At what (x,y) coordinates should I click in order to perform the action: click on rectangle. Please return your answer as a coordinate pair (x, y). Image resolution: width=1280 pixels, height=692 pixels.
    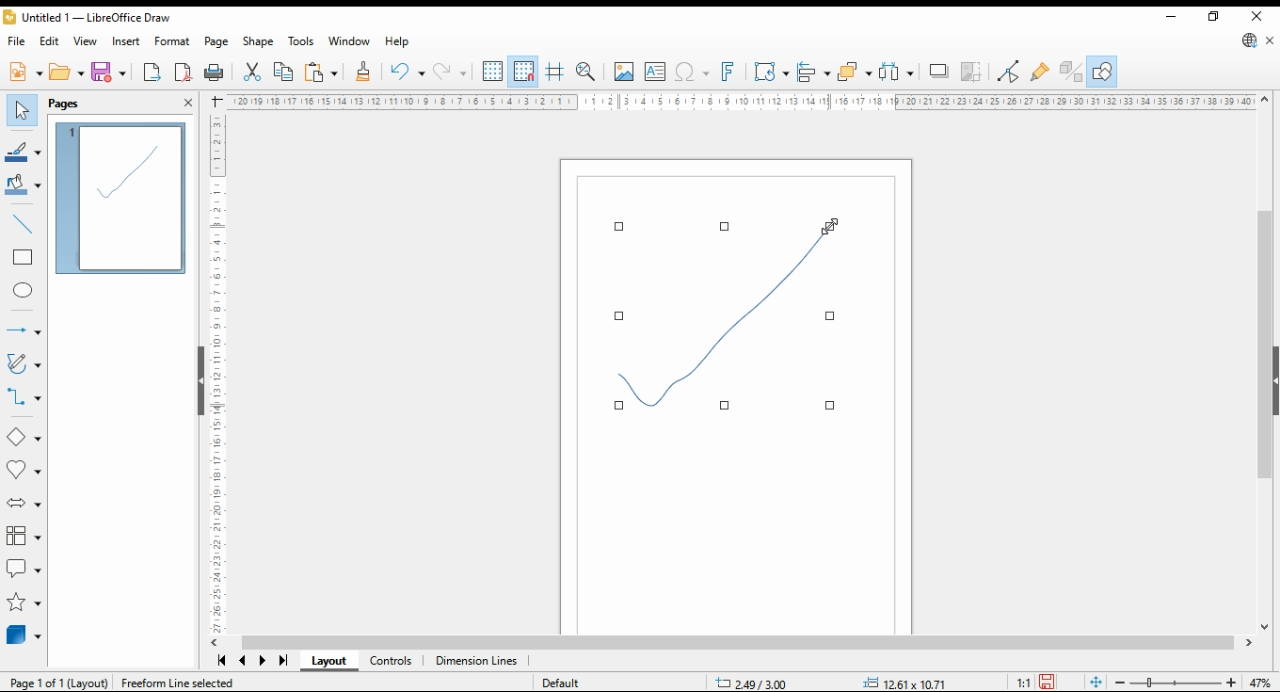
    Looking at the image, I should click on (23, 259).